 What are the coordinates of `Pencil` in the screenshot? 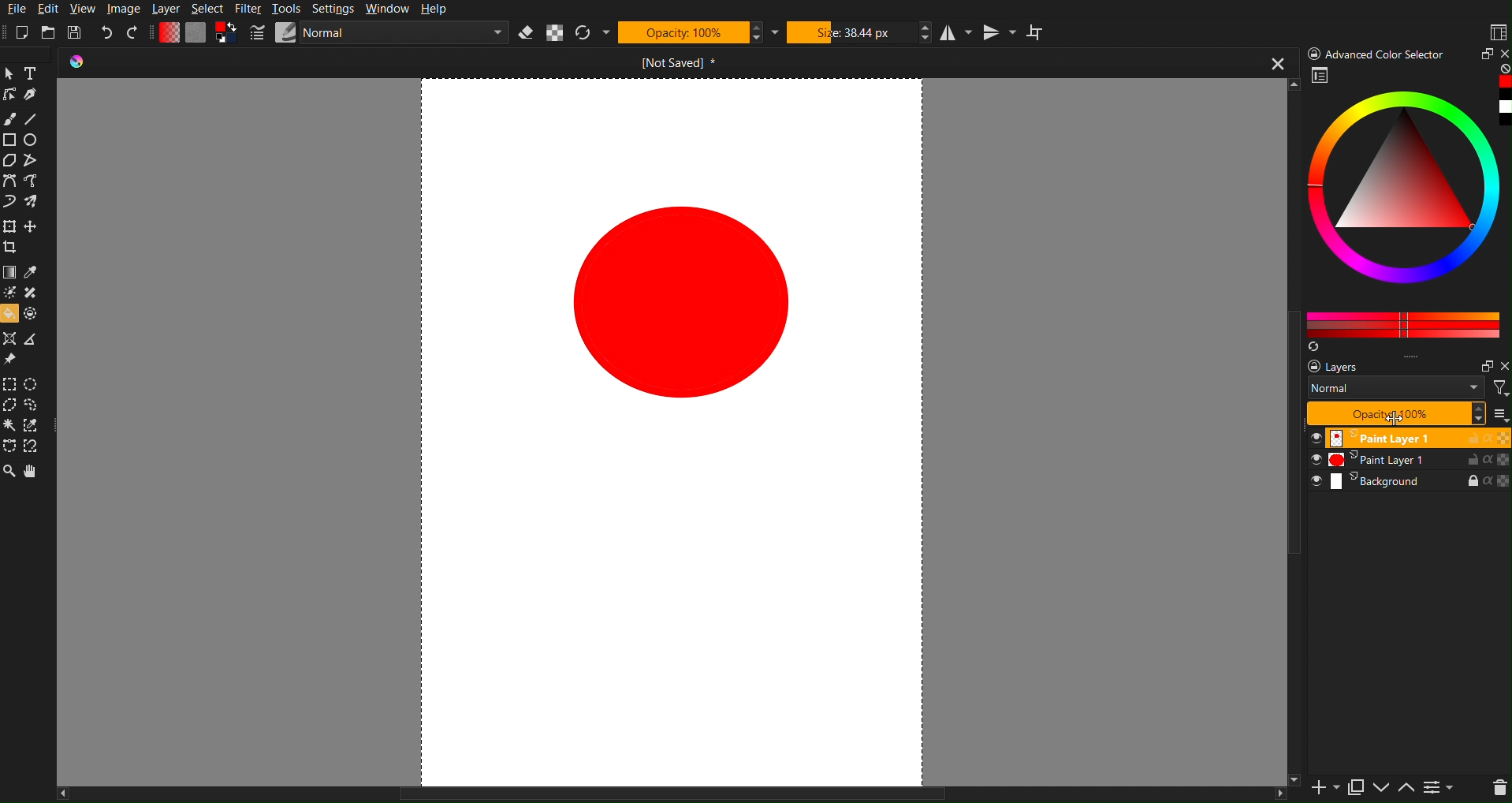 It's located at (257, 33).